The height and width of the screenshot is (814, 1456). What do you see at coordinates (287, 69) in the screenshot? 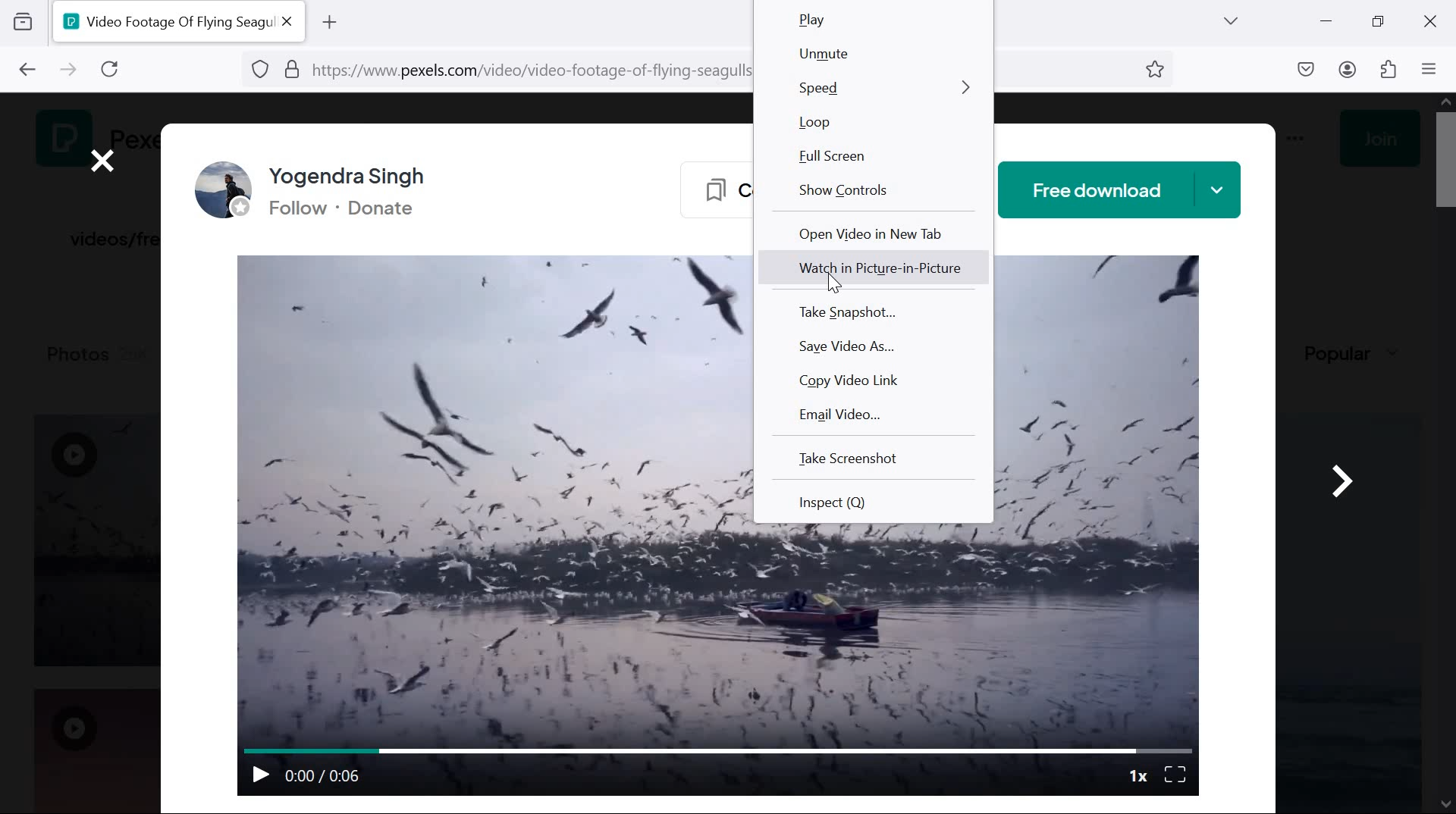
I see `PERMISSIONS` at bounding box center [287, 69].